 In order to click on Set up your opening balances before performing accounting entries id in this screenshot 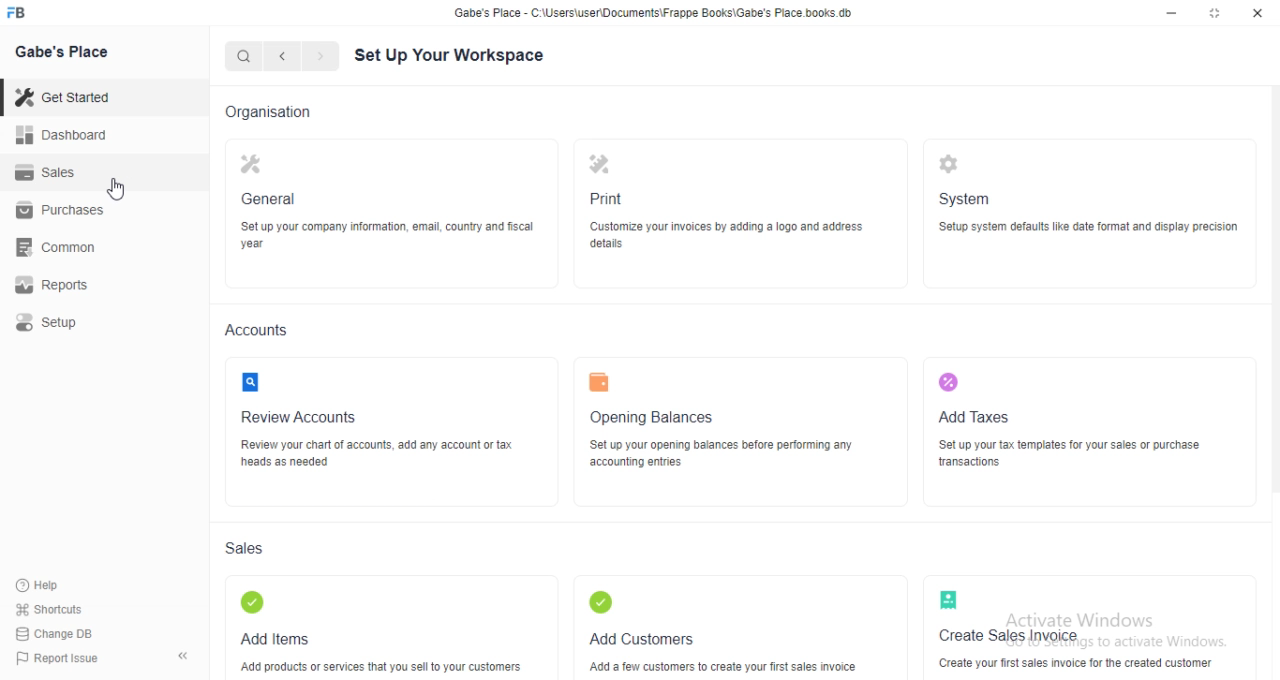, I will do `click(723, 452)`.